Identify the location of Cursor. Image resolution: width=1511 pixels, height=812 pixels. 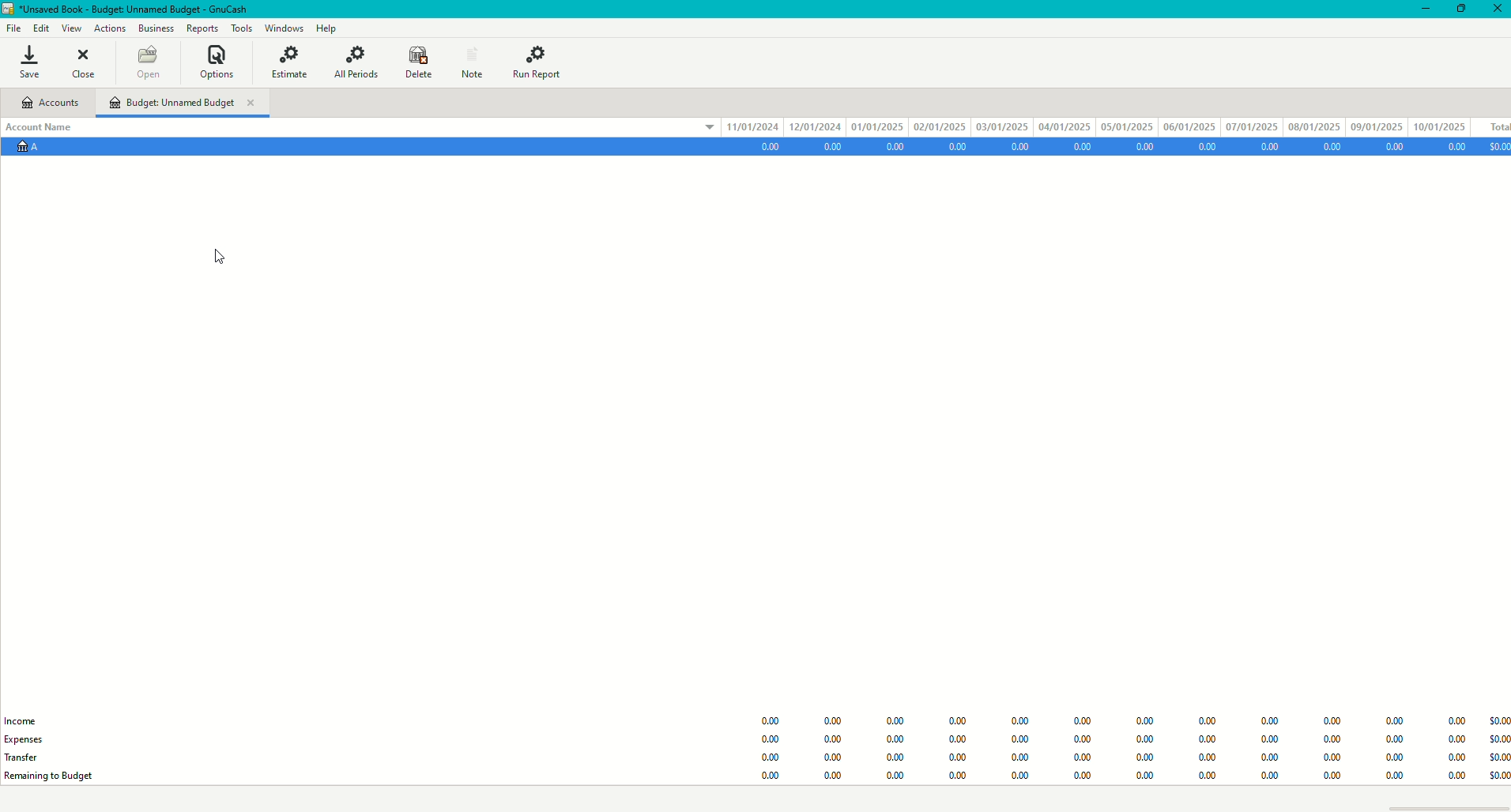
(224, 258).